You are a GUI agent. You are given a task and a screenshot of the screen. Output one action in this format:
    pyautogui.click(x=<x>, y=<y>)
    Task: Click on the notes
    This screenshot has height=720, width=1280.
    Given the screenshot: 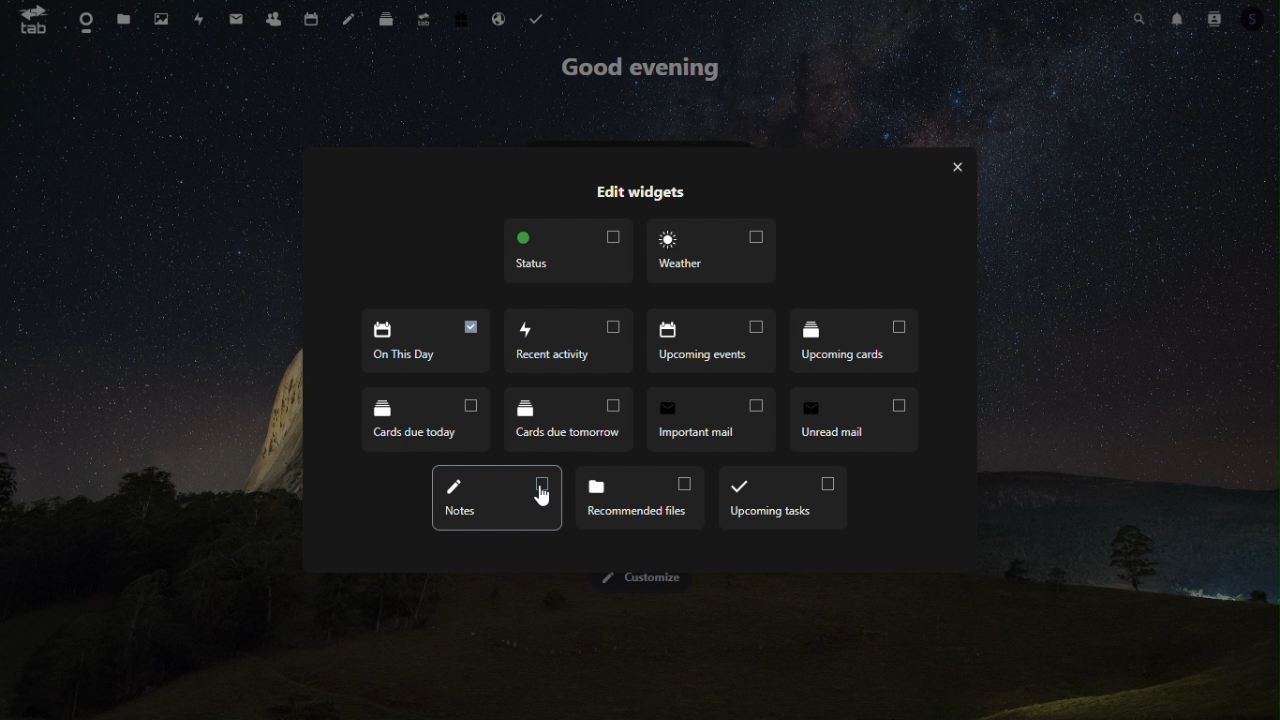 What is the action you would take?
    pyautogui.click(x=348, y=18)
    